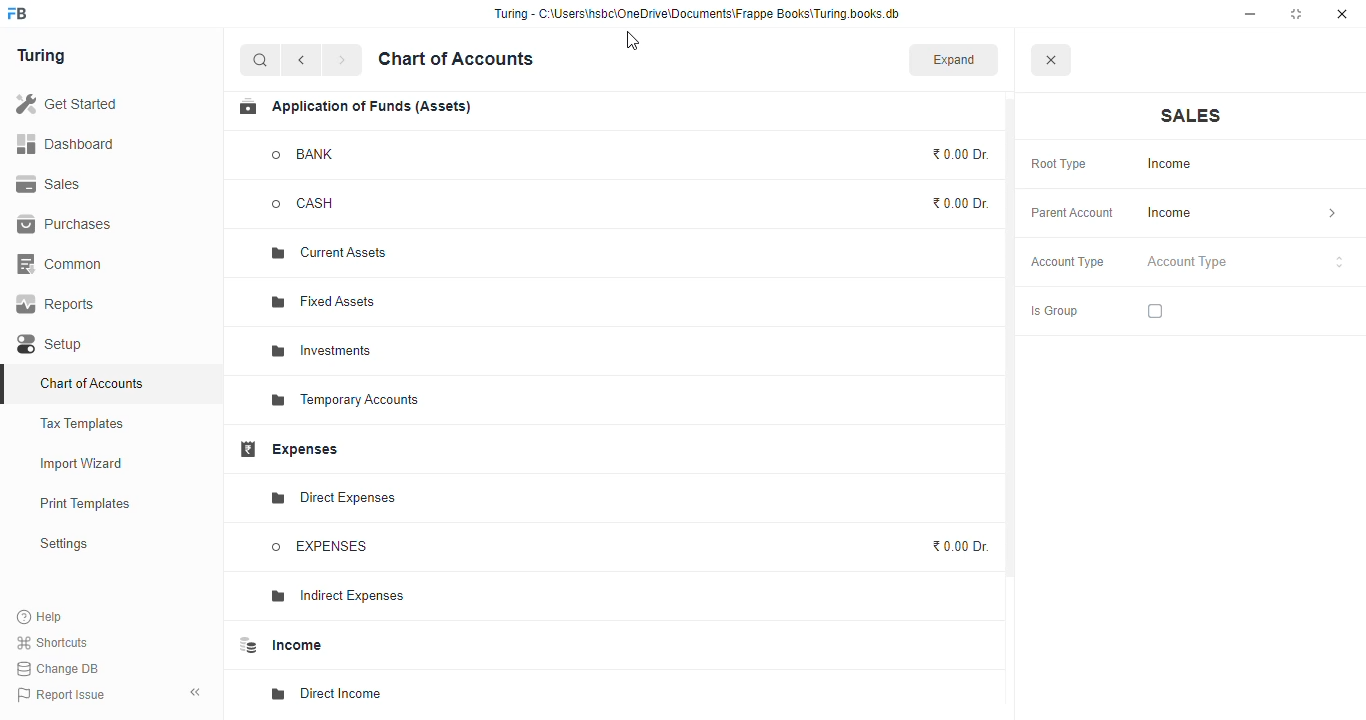 Image resolution: width=1366 pixels, height=720 pixels. What do you see at coordinates (52, 344) in the screenshot?
I see `setup` at bounding box center [52, 344].